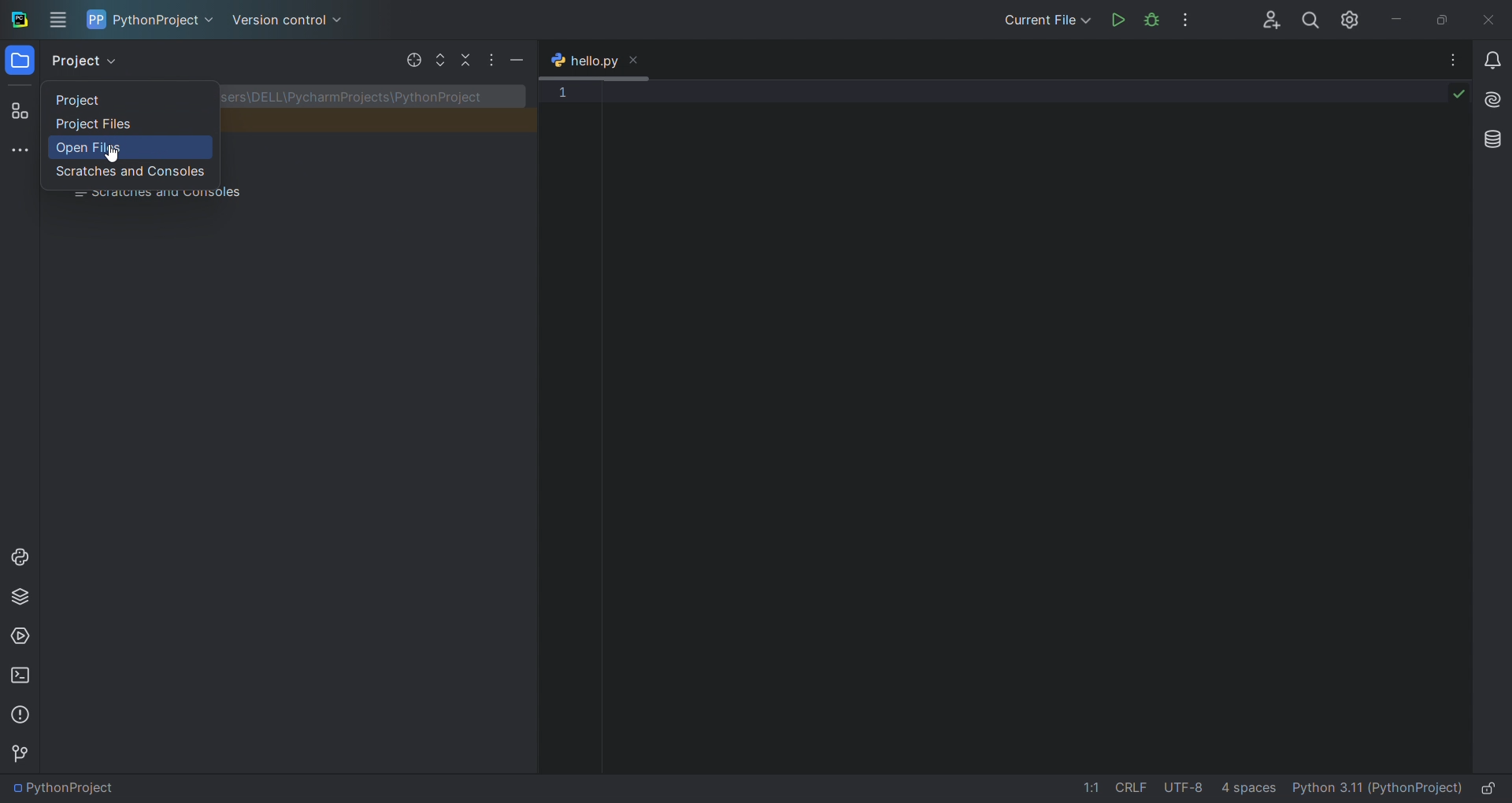 The image size is (1512, 803). I want to click on expand, so click(439, 61).